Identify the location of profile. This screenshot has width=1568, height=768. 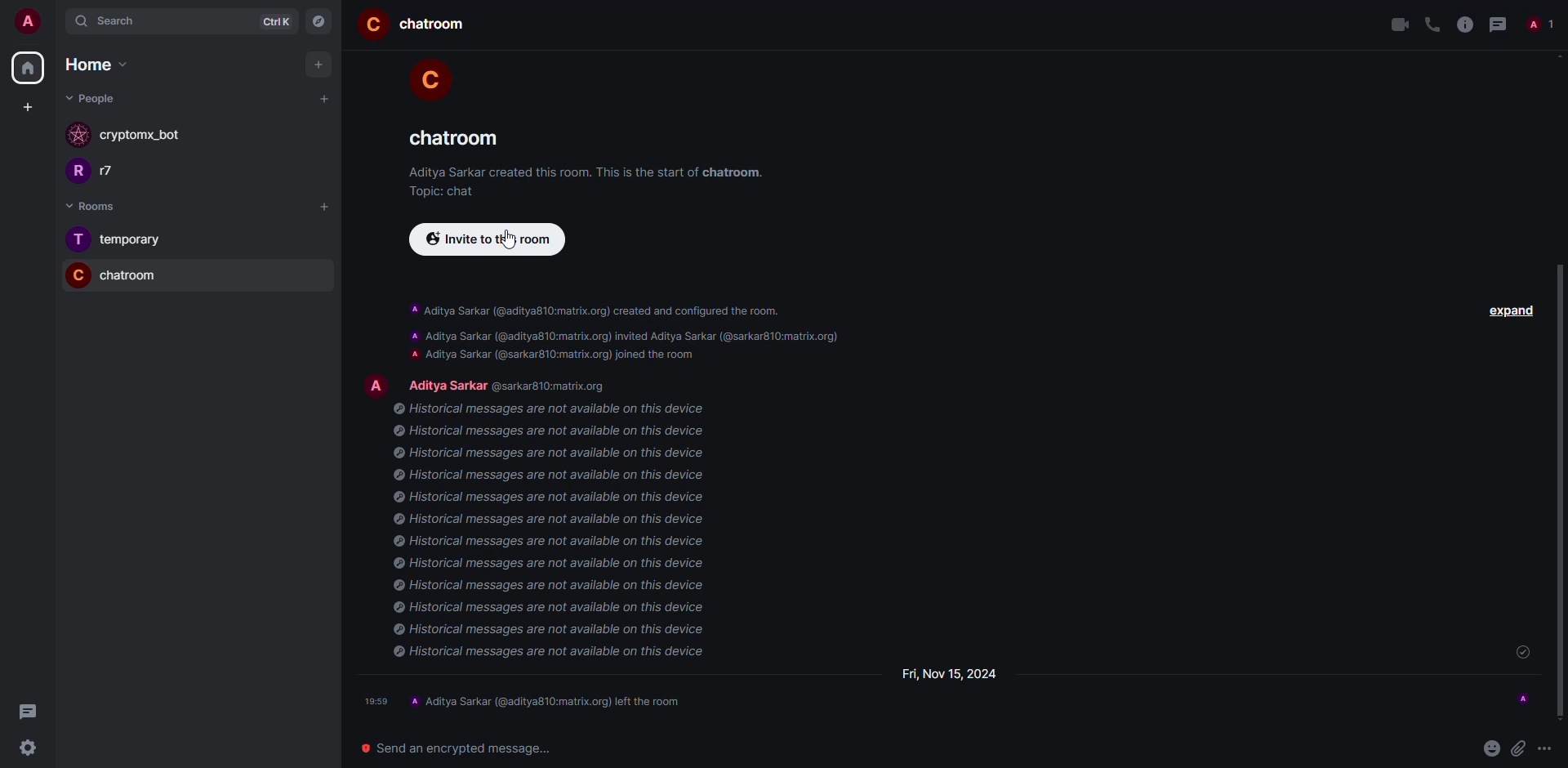
(376, 384).